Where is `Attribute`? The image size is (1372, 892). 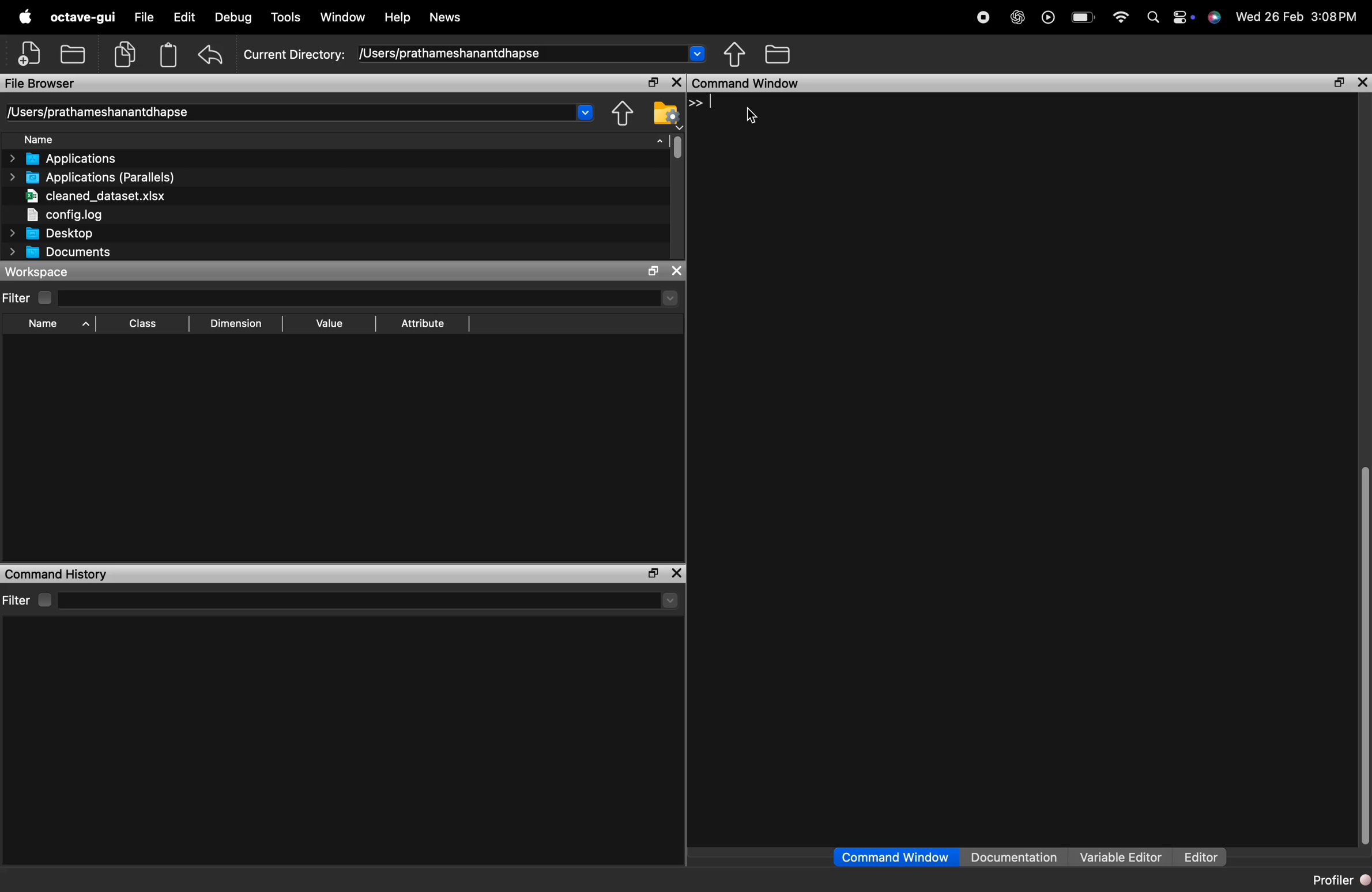 Attribute is located at coordinates (421, 326).